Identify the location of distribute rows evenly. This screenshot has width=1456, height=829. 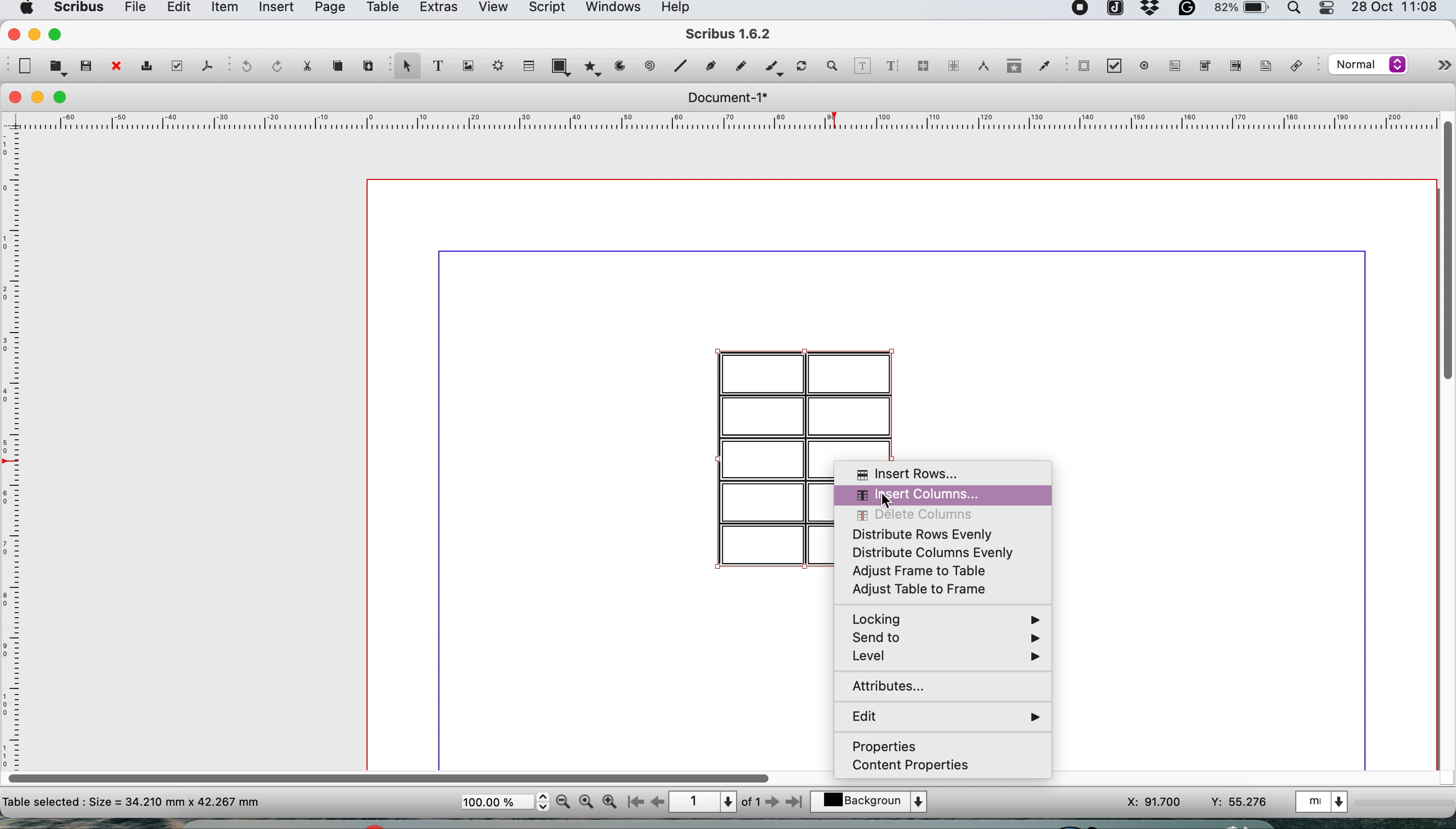
(941, 534).